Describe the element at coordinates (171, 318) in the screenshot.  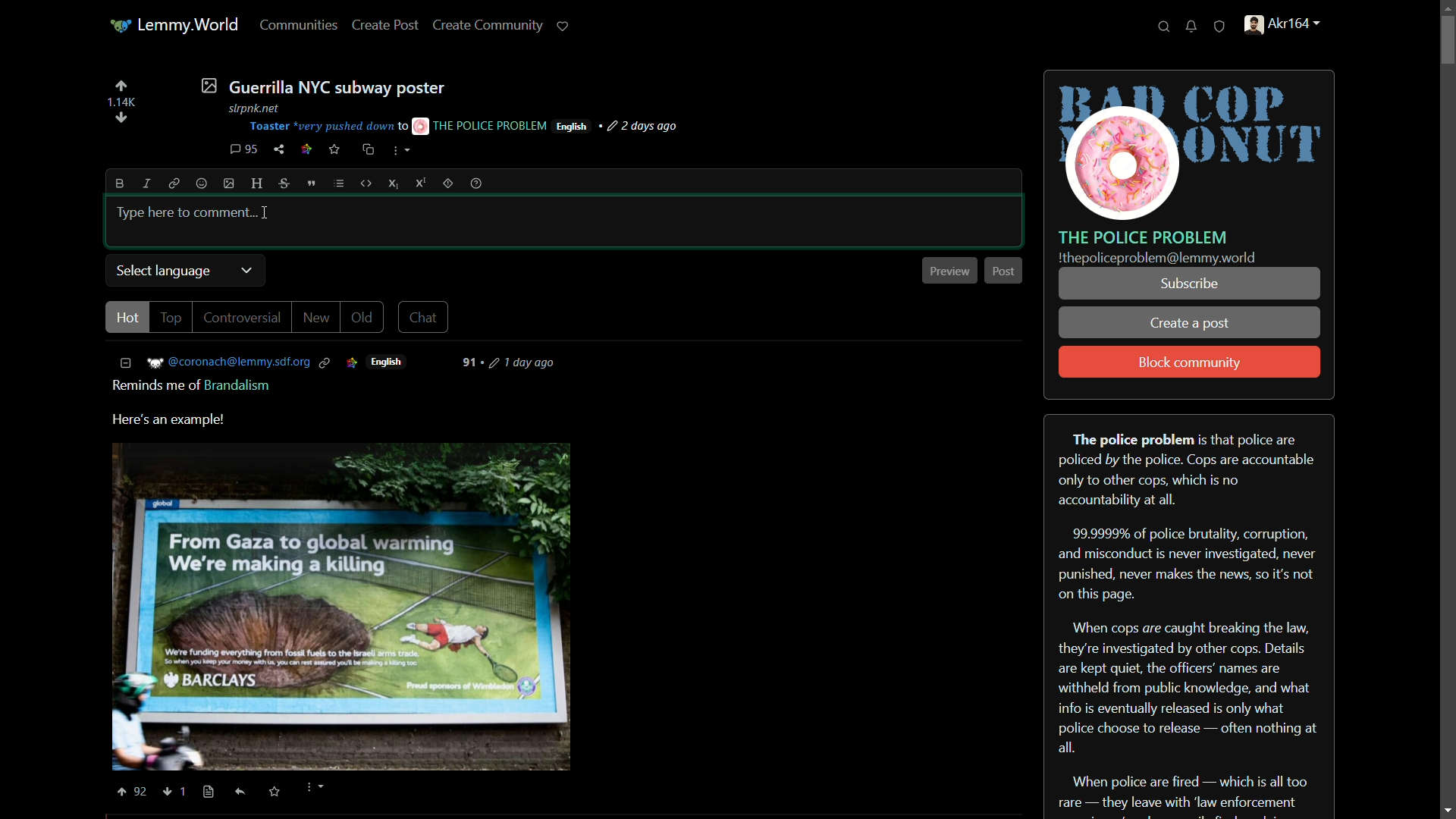
I see `top` at that location.